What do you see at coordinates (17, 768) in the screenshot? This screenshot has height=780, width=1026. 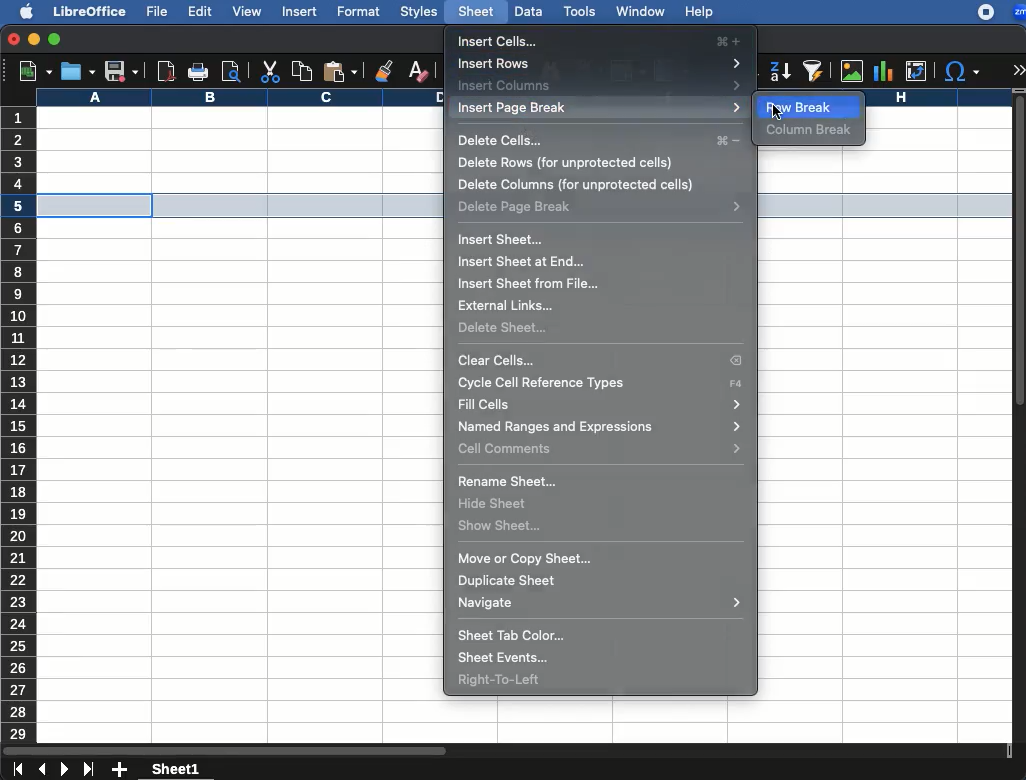 I see `first sheet` at bounding box center [17, 768].